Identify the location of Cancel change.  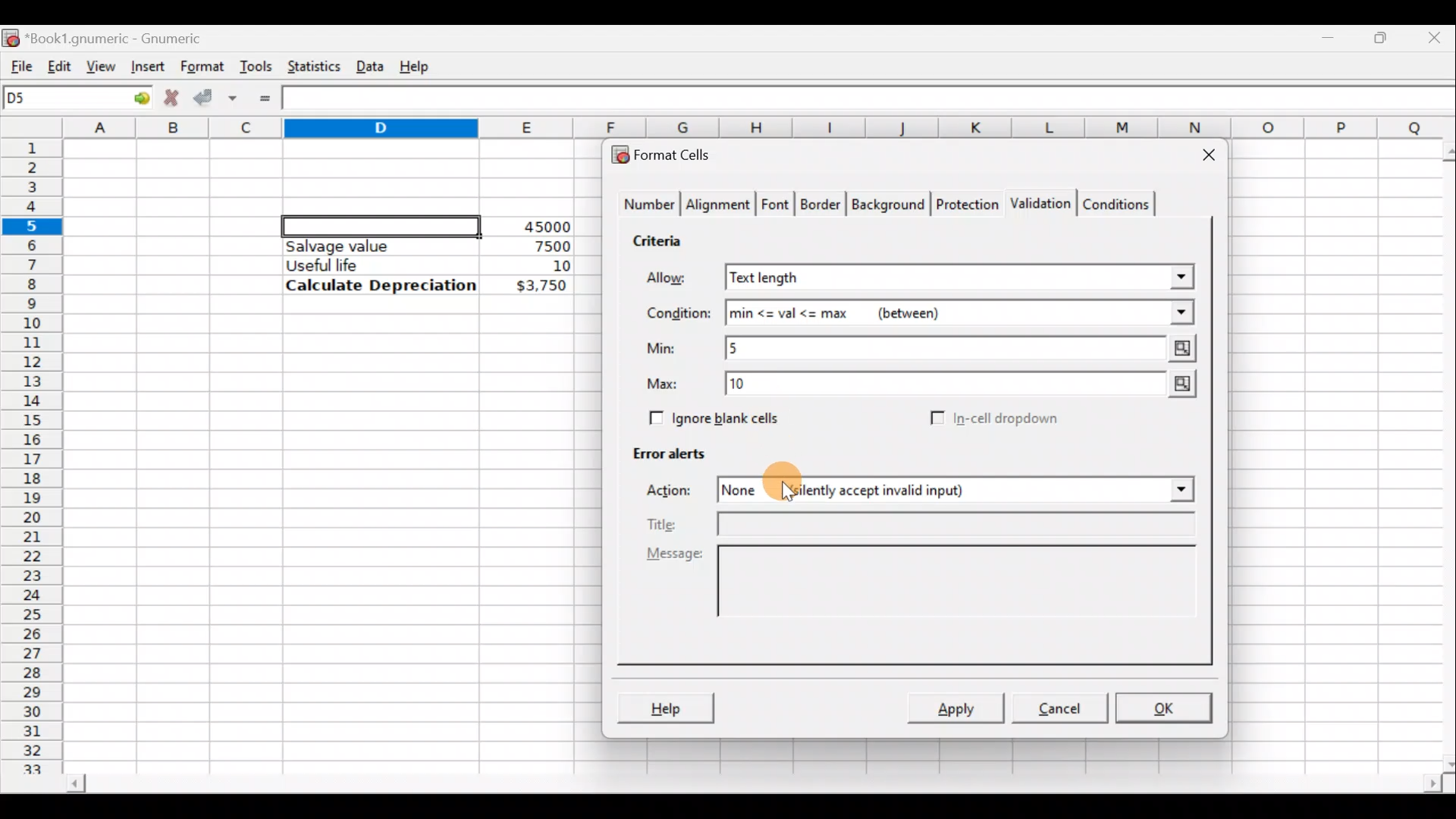
(170, 96).